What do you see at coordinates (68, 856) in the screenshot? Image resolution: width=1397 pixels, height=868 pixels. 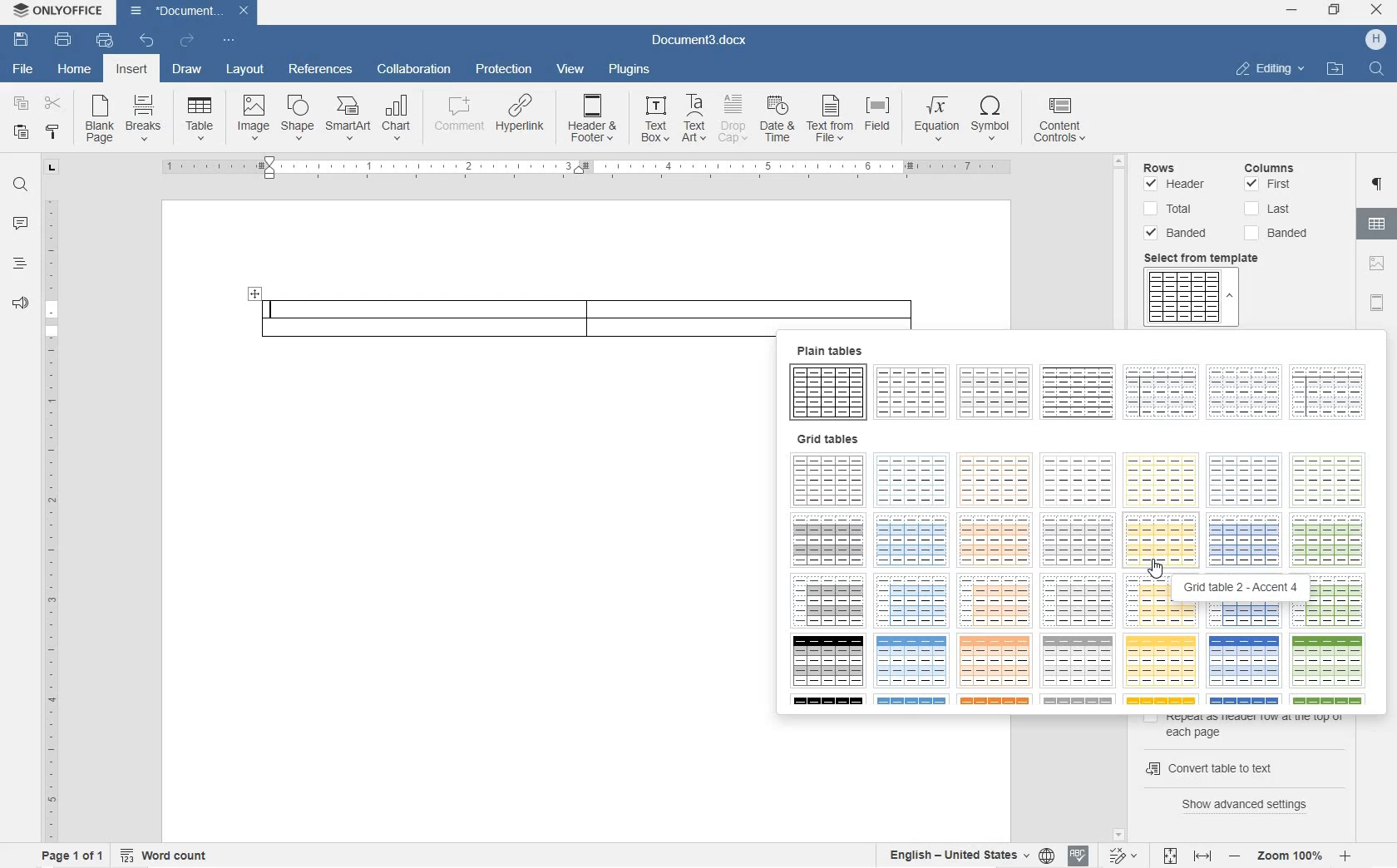 I see `PAGE 1 OF 1` at bounding box center [68, 856].